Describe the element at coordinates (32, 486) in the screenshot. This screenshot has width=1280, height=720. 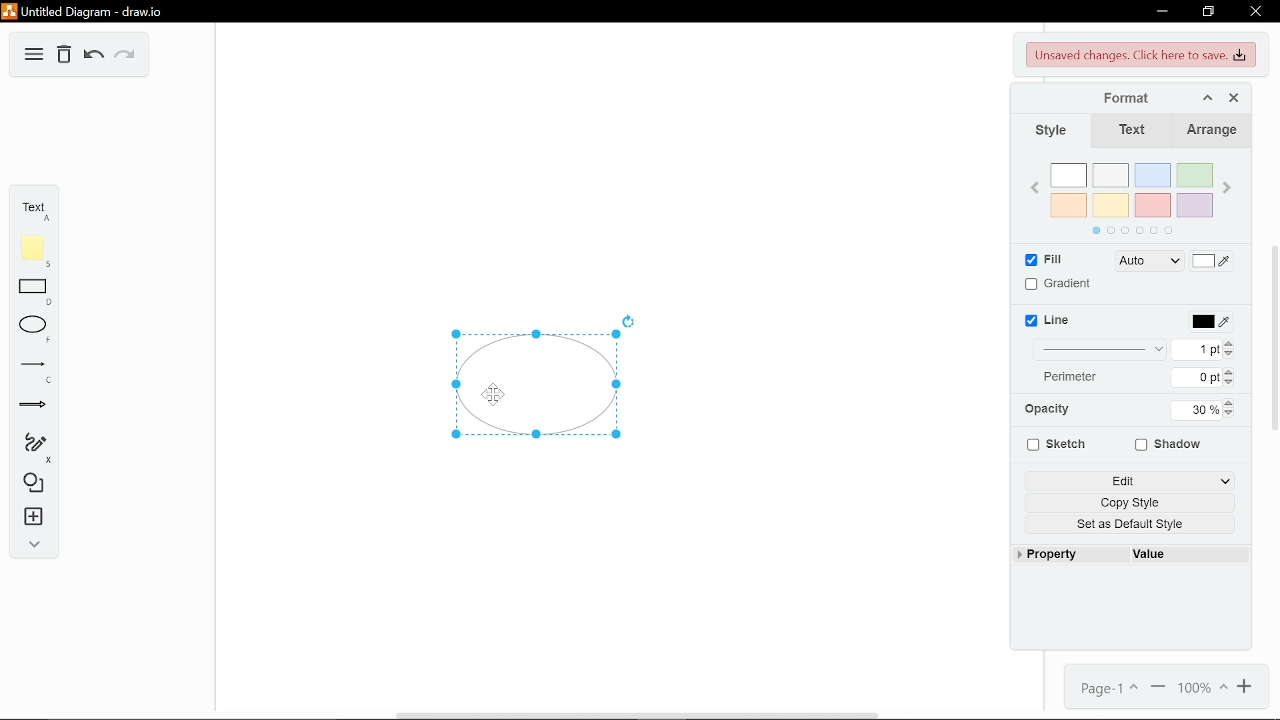
I see `Shapes` at that location.